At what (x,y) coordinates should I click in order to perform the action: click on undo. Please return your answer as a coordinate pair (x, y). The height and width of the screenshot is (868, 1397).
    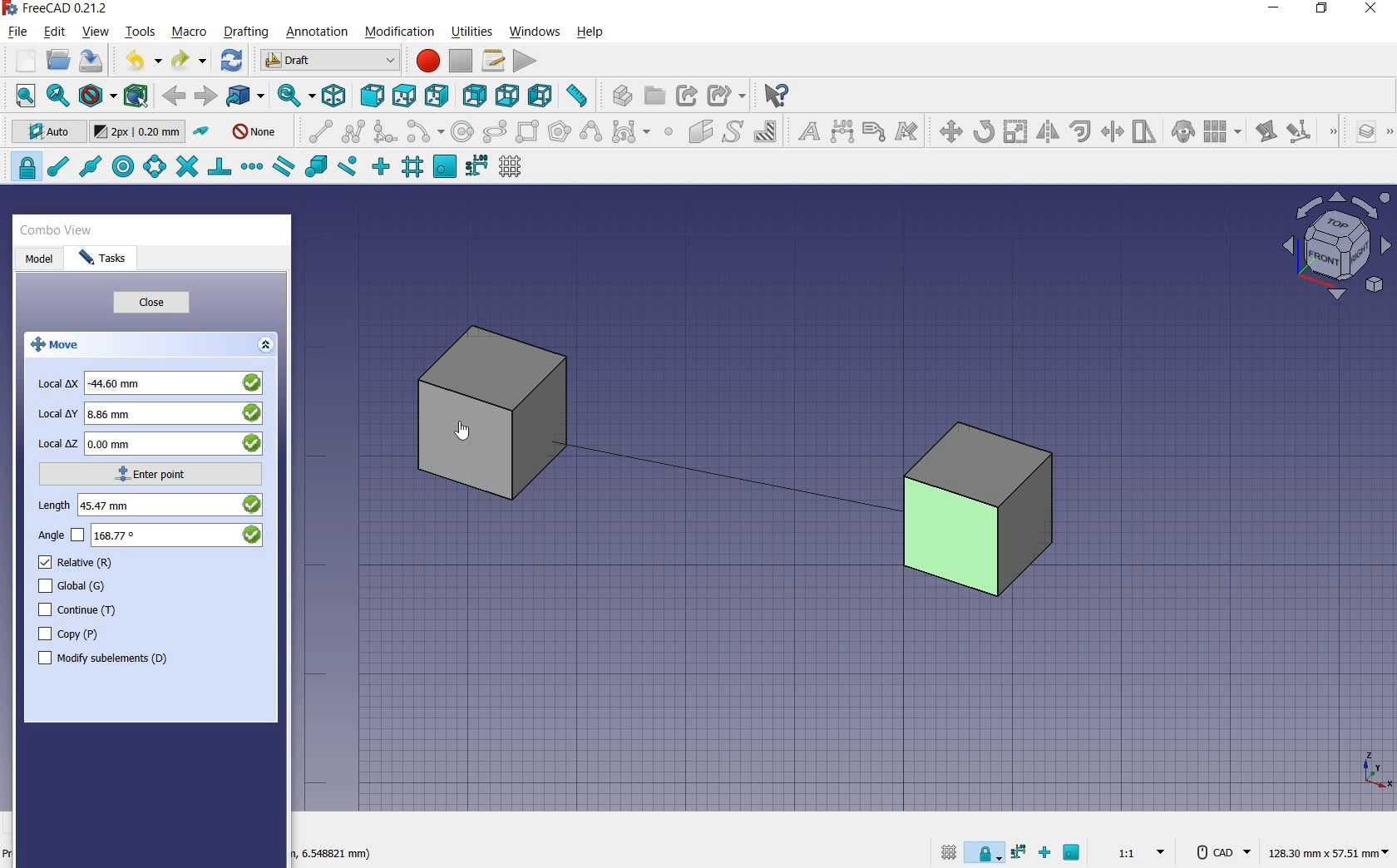
    Looking at the image, I should click on (137, 60).